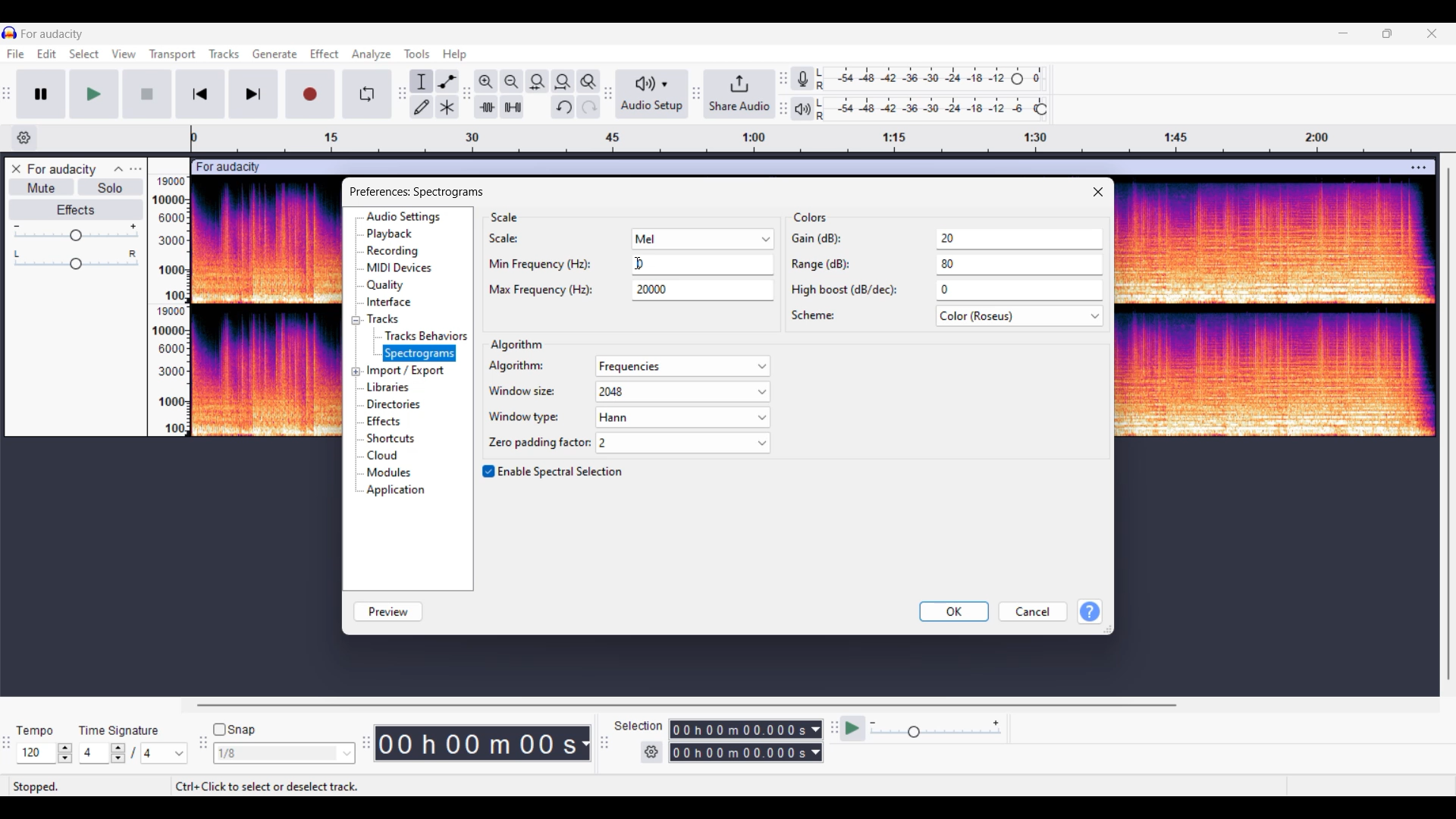 The image size is (1456, 819). Describe the element at coordinates (588, 82) in the screenshot. I see `Zoom toggle` at that location.